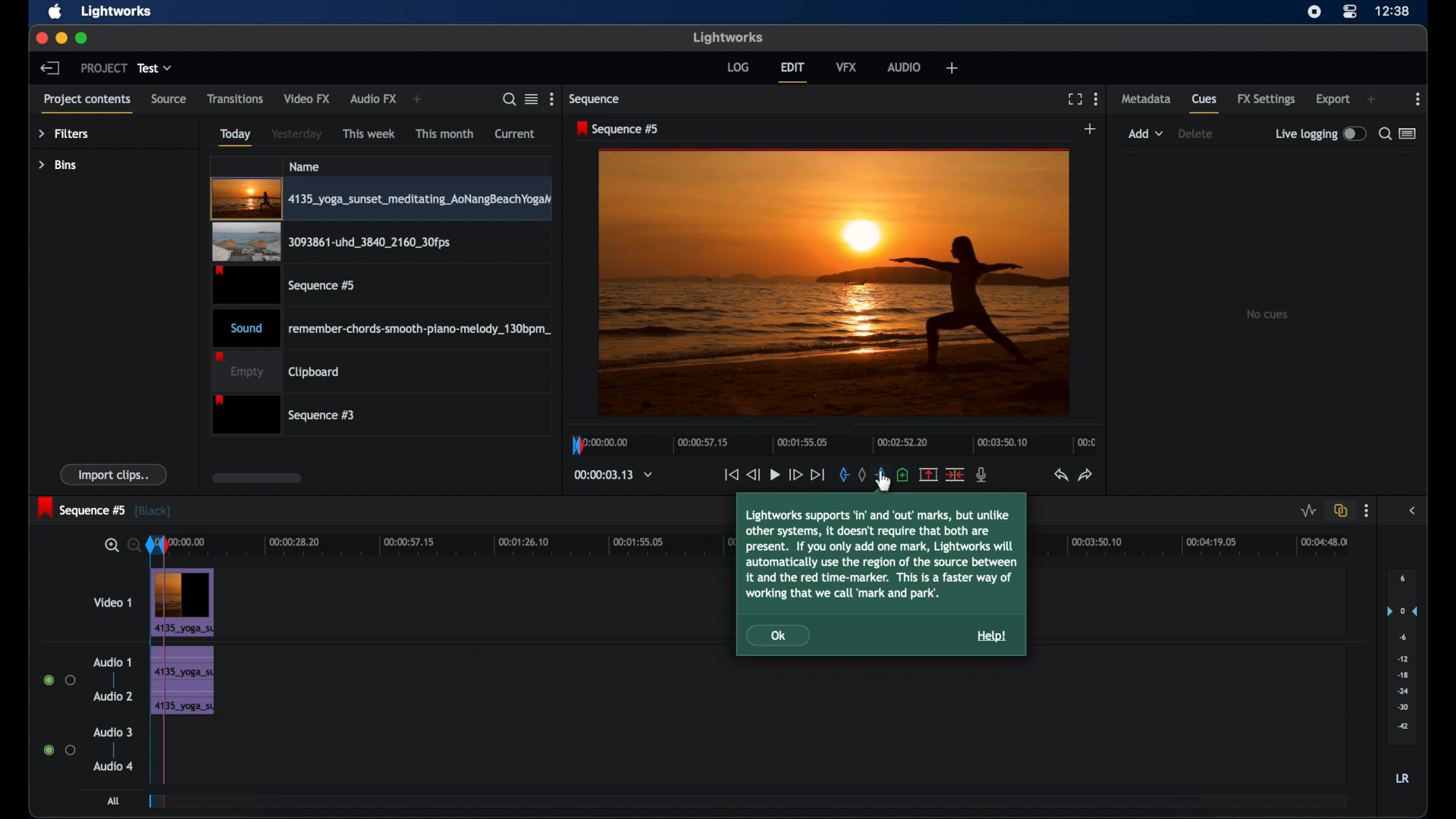  I want to click on add a cue at current position, so click(904, 475).